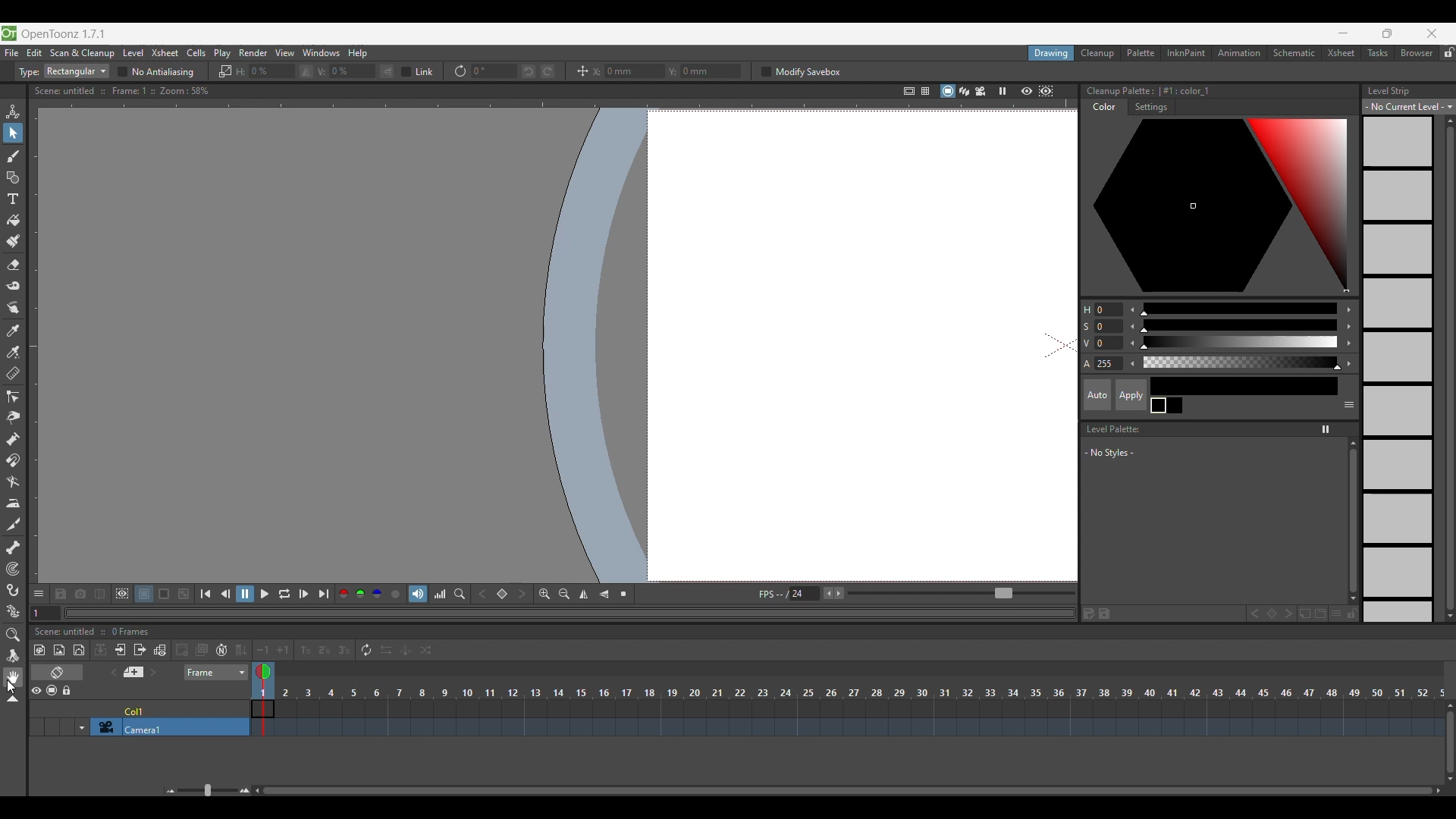  I want to click on Change color modification manually, so click(1108, 336).